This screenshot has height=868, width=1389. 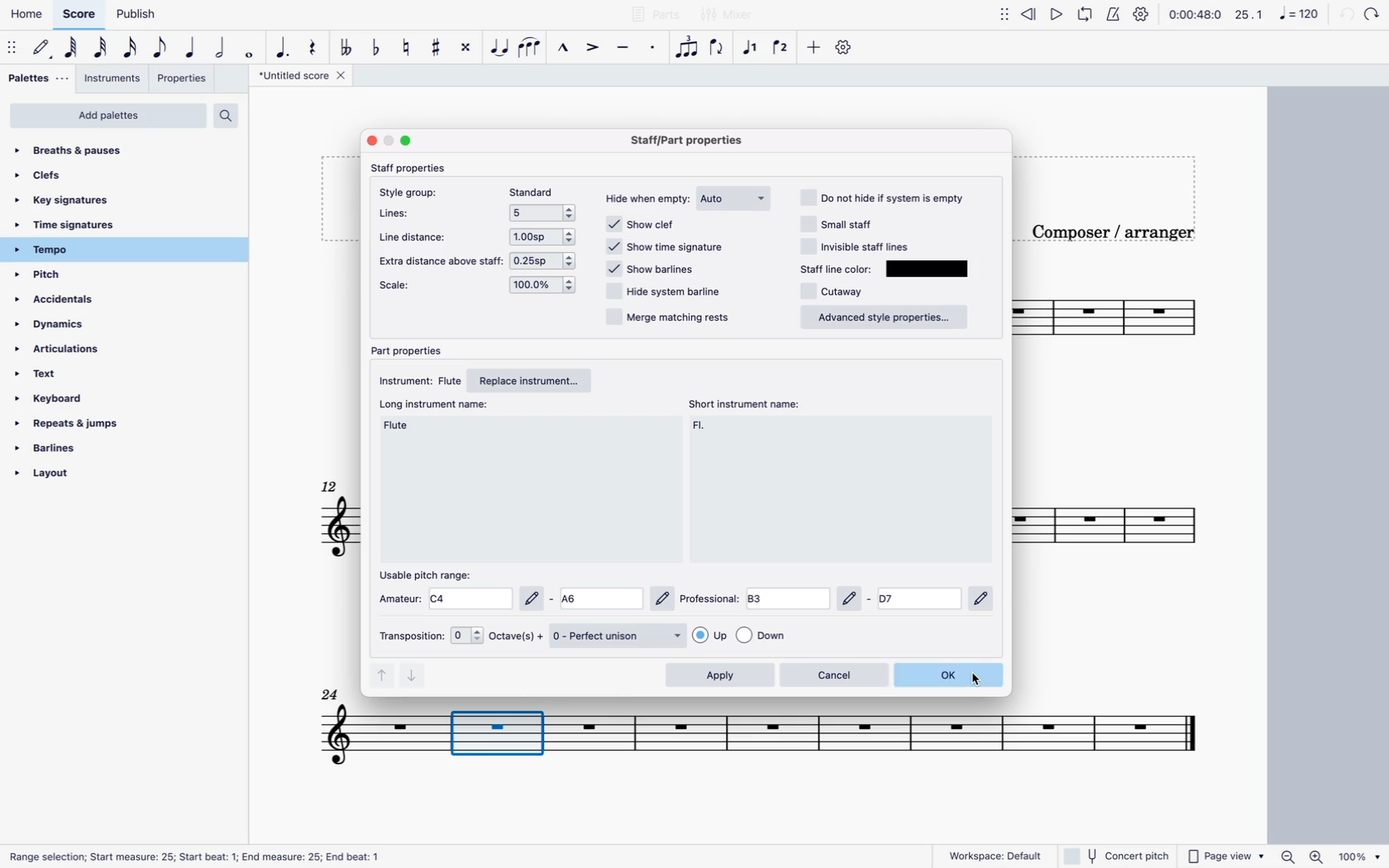 What do you see at coordinates (1277, 14) in the screenshot?
I see `scale` at bounding box center [1277, 14].